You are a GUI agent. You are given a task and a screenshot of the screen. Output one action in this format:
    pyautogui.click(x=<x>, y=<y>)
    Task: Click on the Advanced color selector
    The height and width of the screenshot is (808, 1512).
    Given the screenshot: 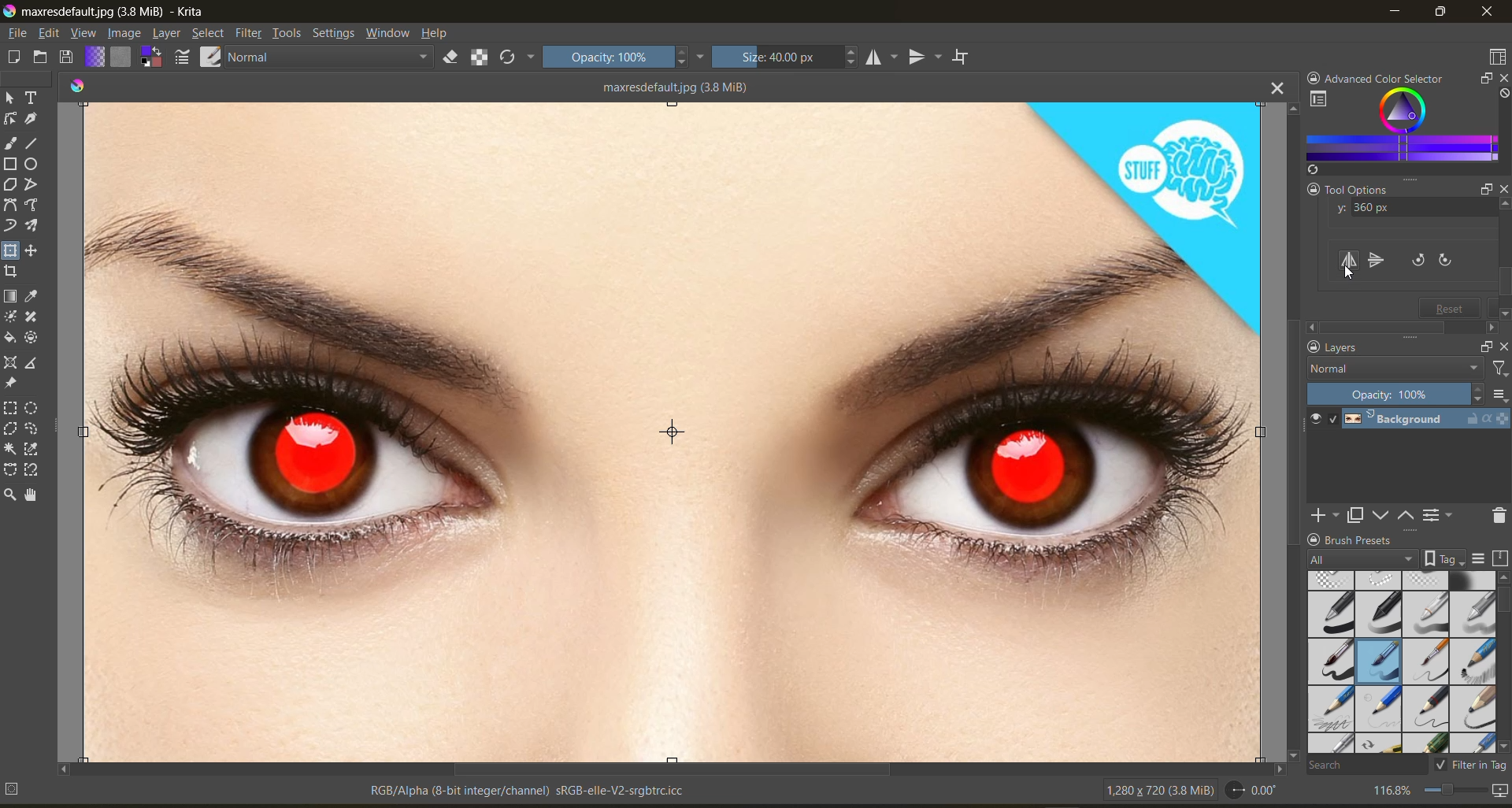 What is the action you would take?
    pyautogui.click(x=1390, y=75)
    